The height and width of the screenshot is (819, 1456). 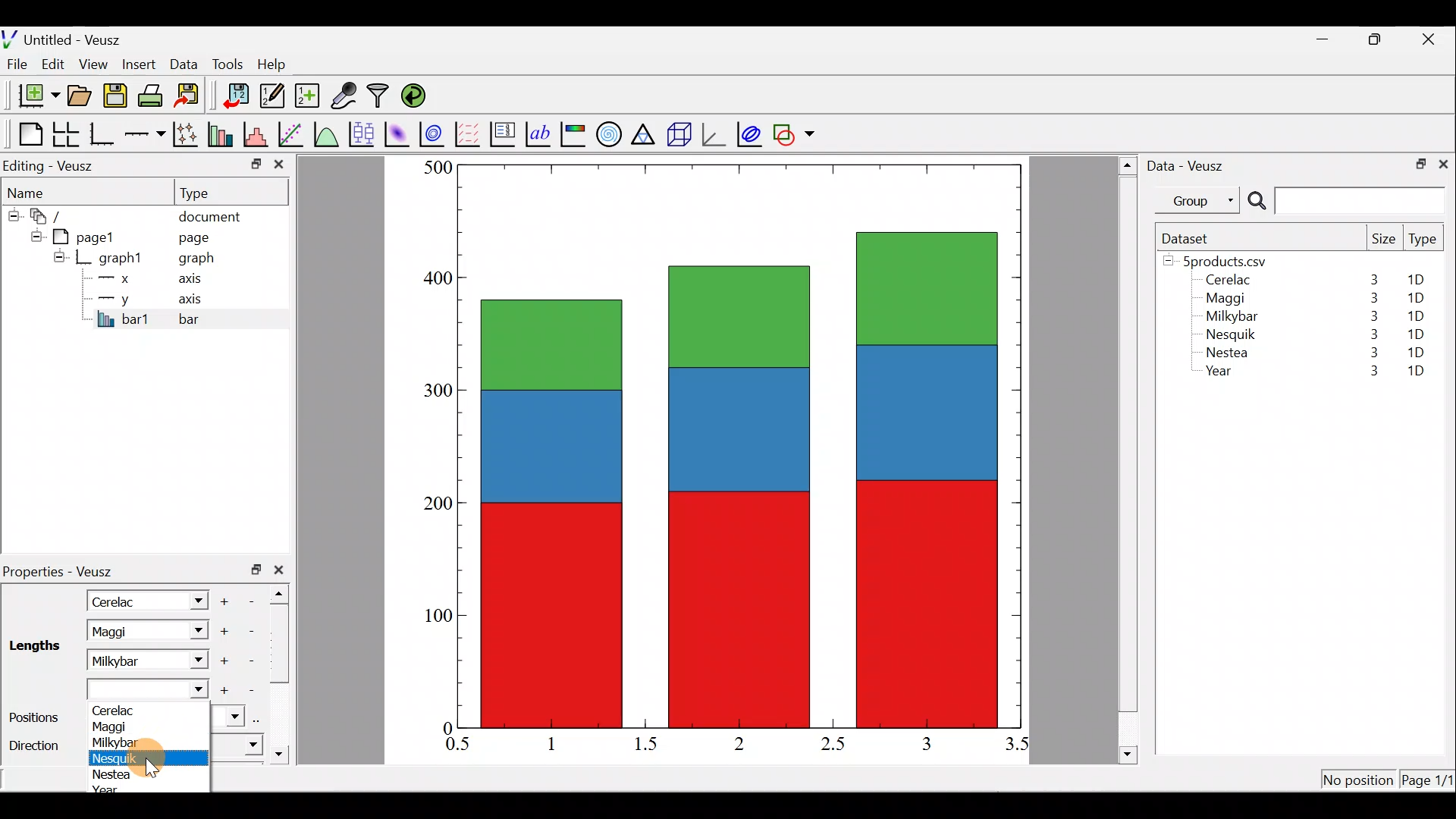 What do you see at coordinates (751, 133) in the screenshot?
I see `plot covariance ellipses` at bounding box center [751, 133].